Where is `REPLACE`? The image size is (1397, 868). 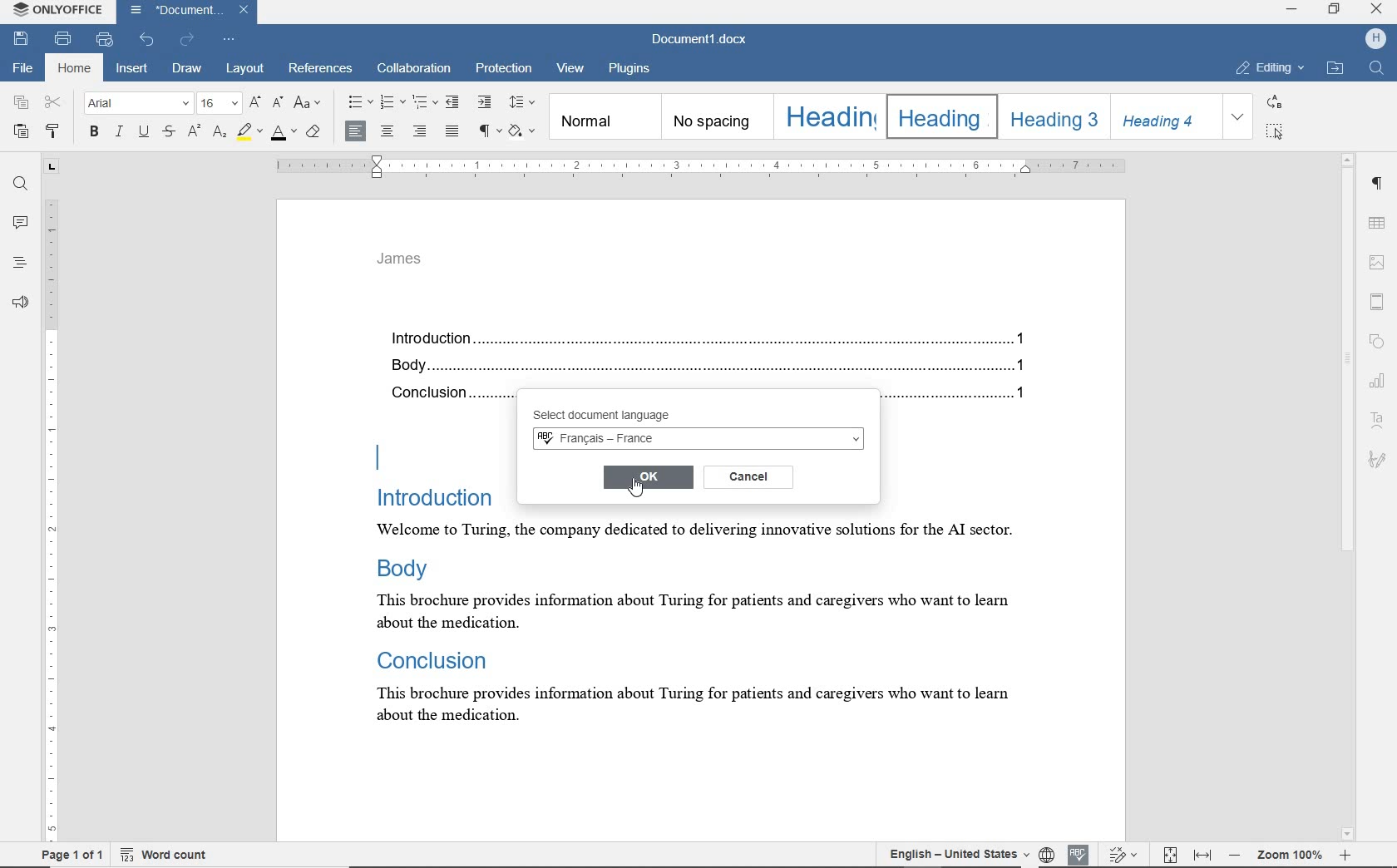
REPLACE is located at coordinates (1275, 101).